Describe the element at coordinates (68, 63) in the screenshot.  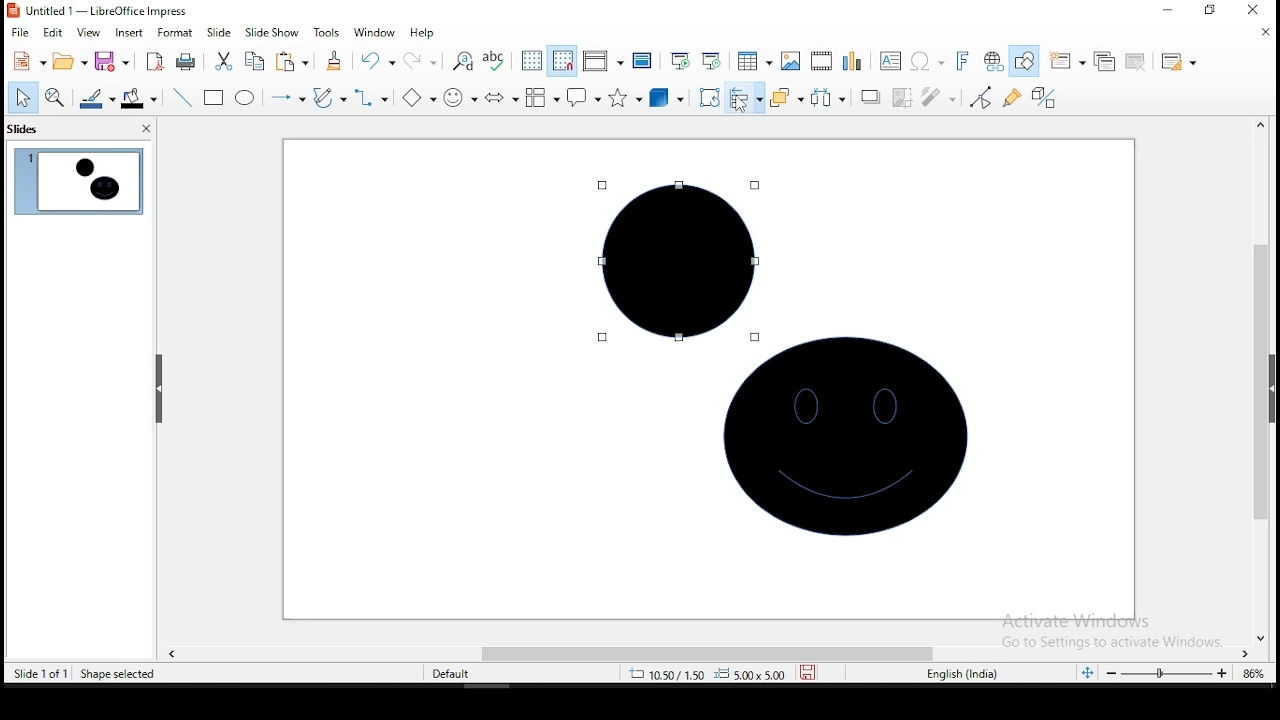
I see `open` at that location.